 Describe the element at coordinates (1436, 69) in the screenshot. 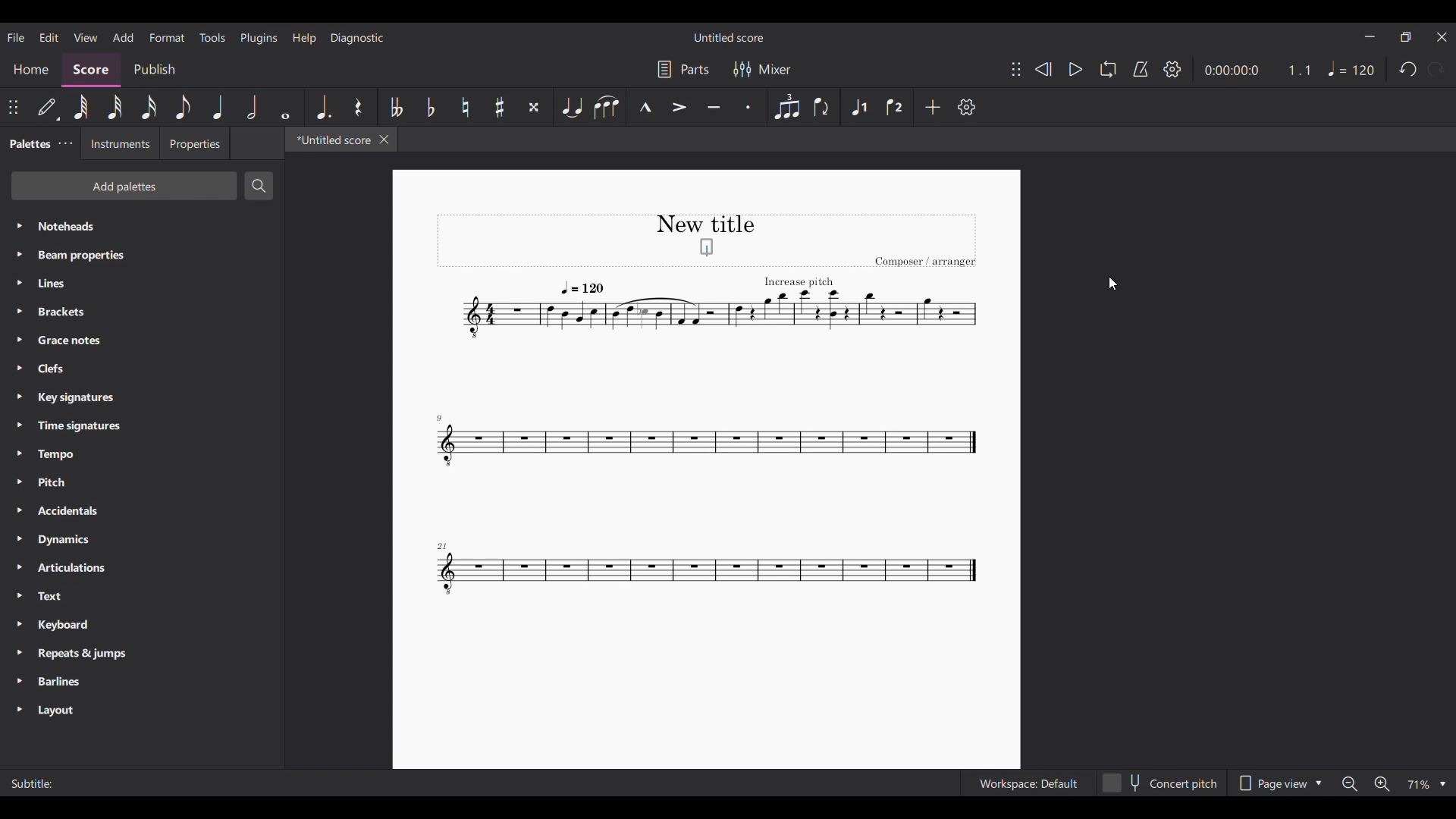

I see `Redo` at that location.